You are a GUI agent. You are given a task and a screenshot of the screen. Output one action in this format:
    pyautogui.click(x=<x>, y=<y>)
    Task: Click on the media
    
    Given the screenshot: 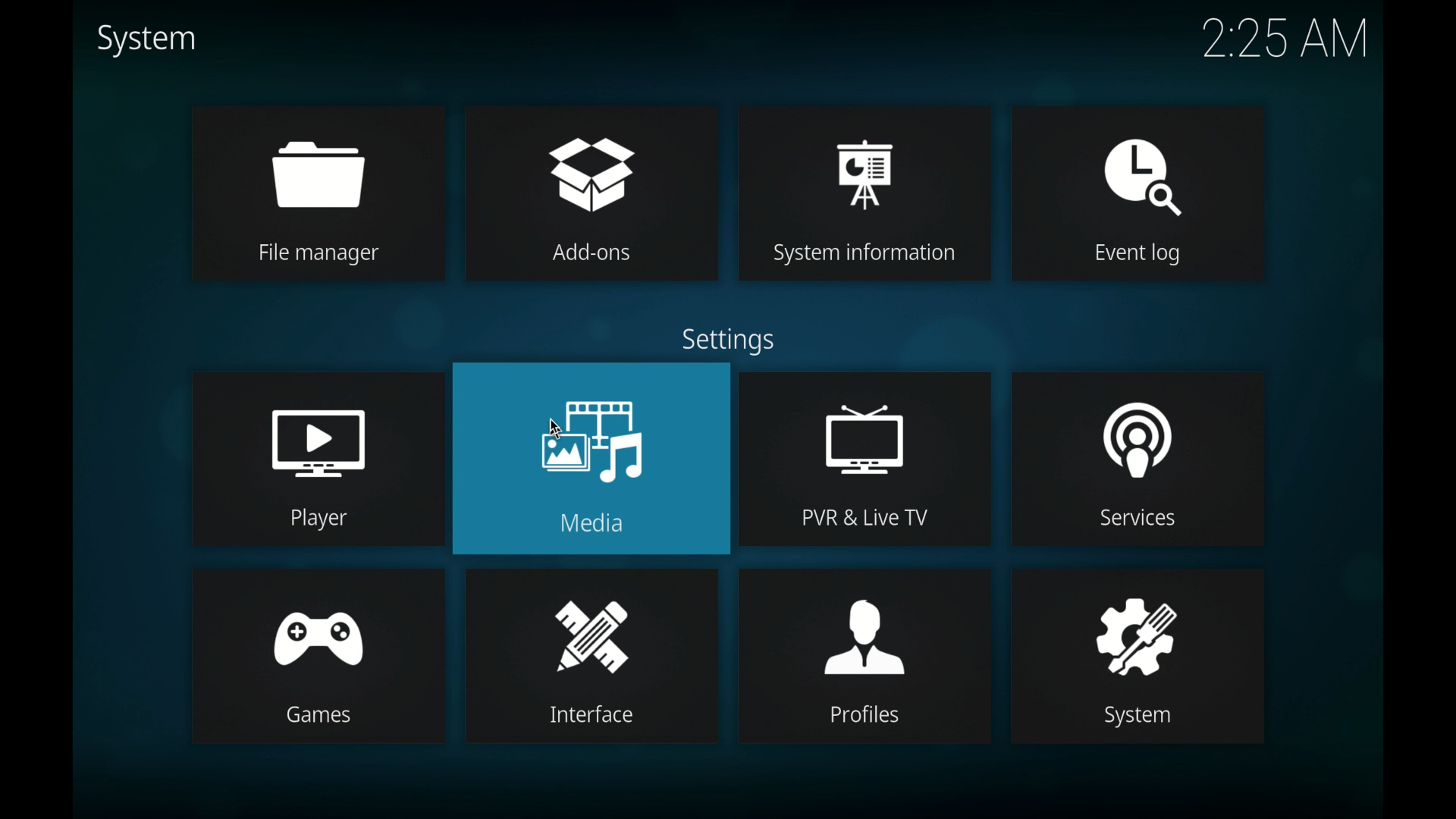 What is the action you would take?
    pyautogui.click(x=593, y=428)
    